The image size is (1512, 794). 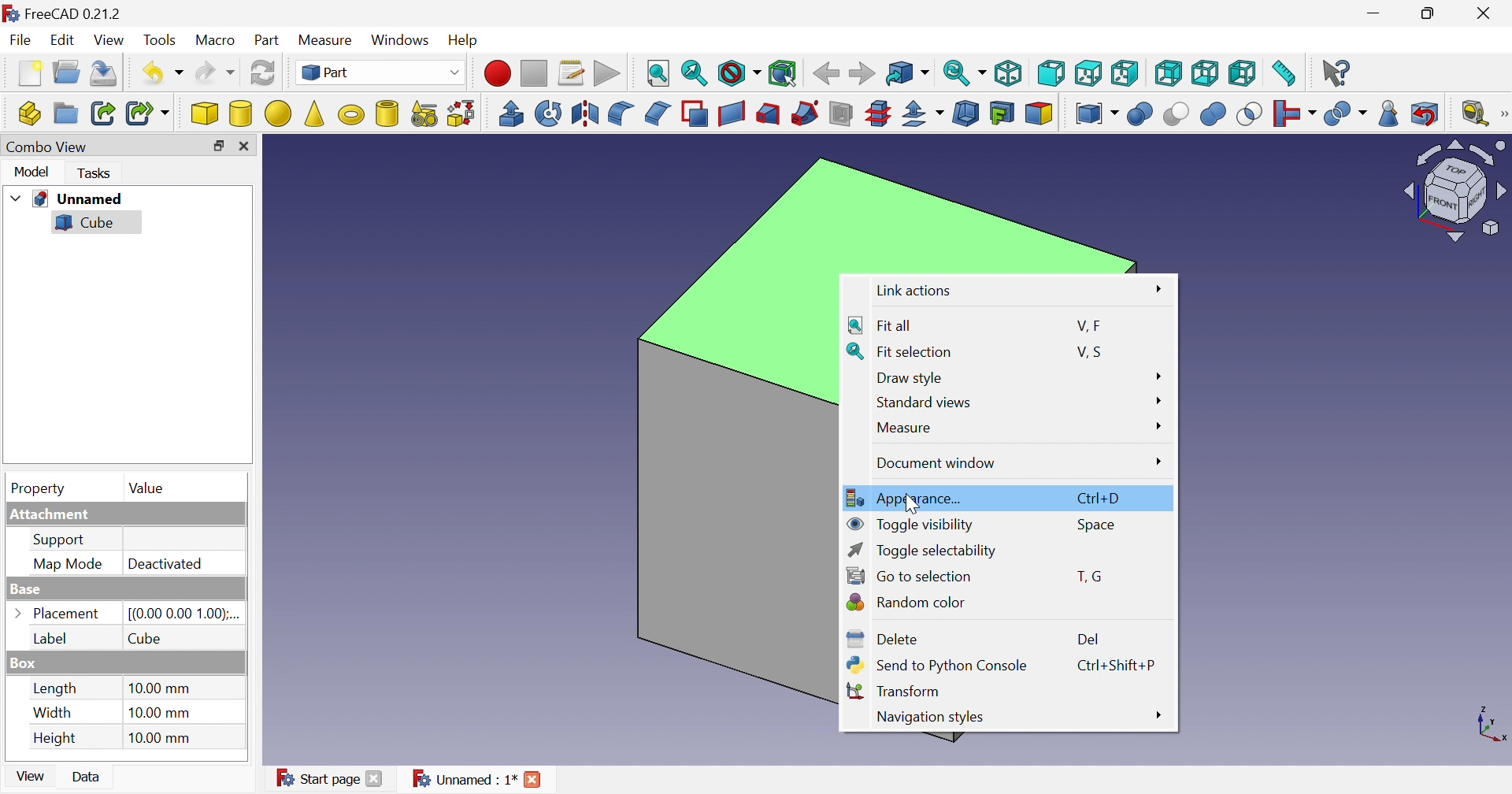 What do you see at coordinates (922, 403) in the screenshot?
I see `Standard views` at bounding box center [922, 403].